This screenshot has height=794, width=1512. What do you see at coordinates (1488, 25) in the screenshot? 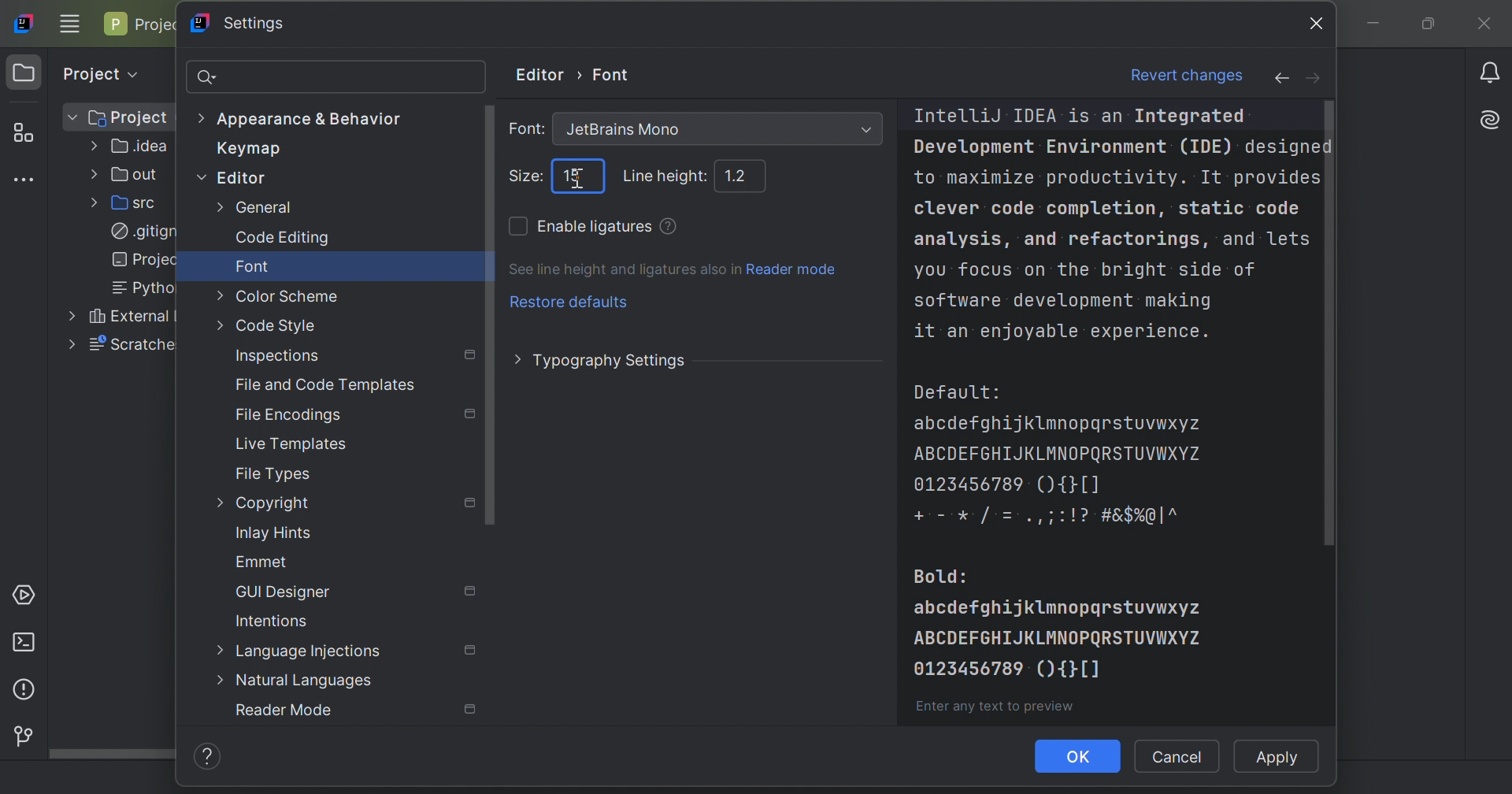
I see `Close` at bounding box center [1488, 25].